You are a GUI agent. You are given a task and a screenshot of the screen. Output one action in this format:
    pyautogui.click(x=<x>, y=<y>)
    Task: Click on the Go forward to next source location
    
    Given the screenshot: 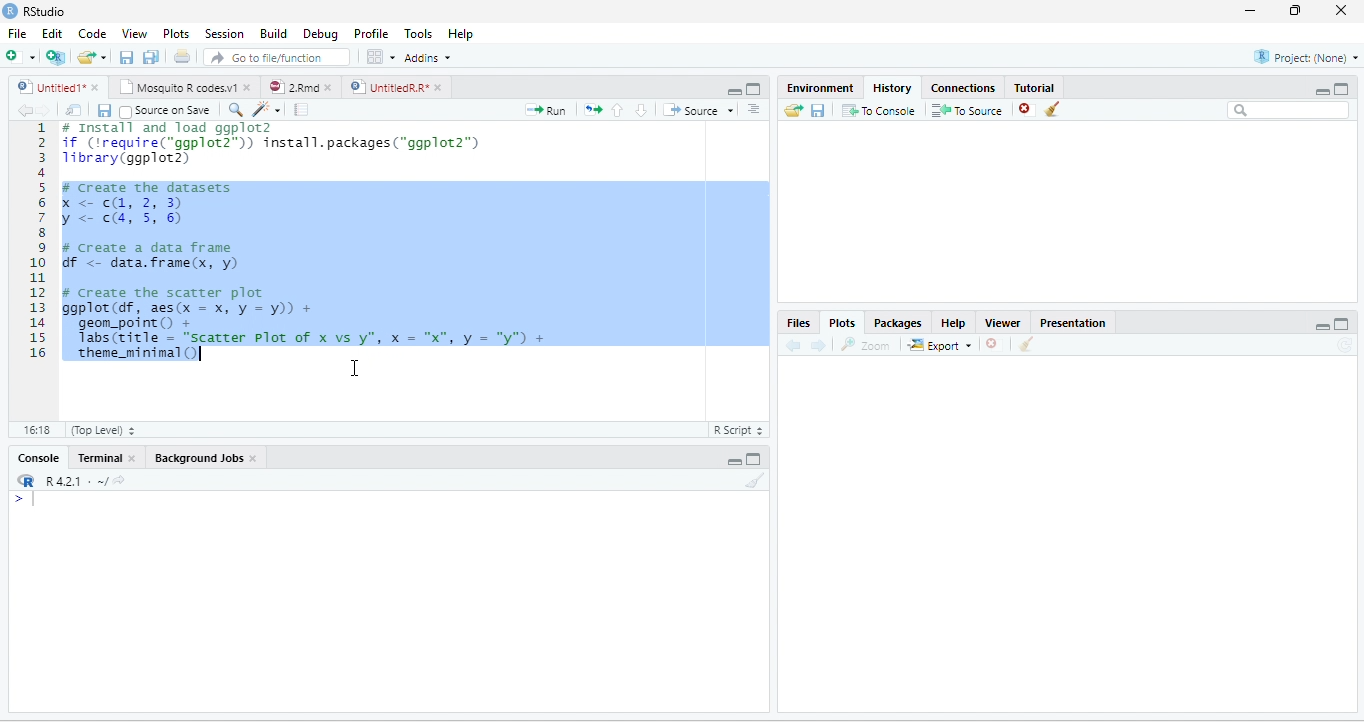 What is the action you would take?
    pyautogui.click(x=44, y=111)
    